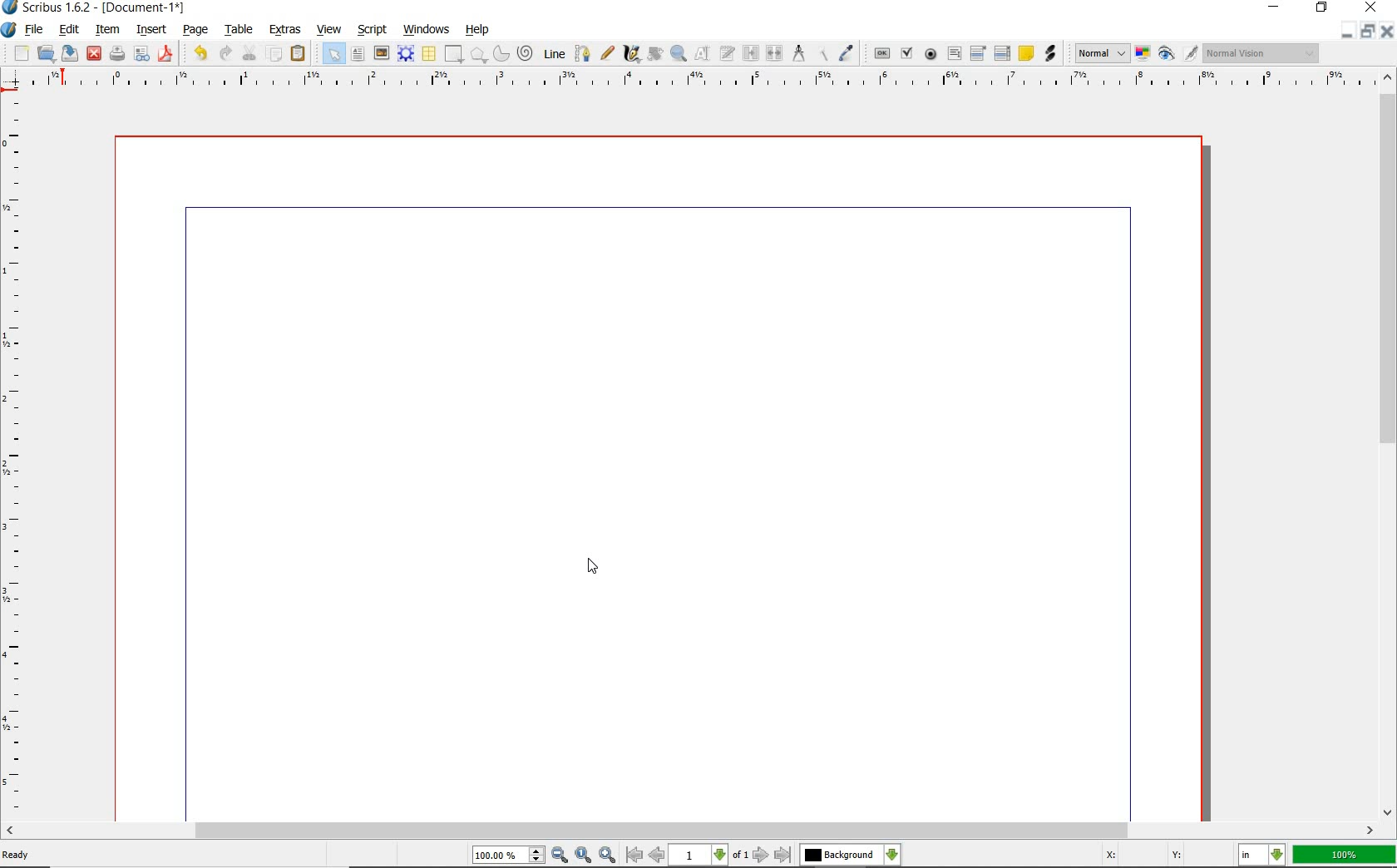  What do you see at coordinates (1001, 53) in the screenshot?
I see `pdf list box` at bounding box center [1001, 53].